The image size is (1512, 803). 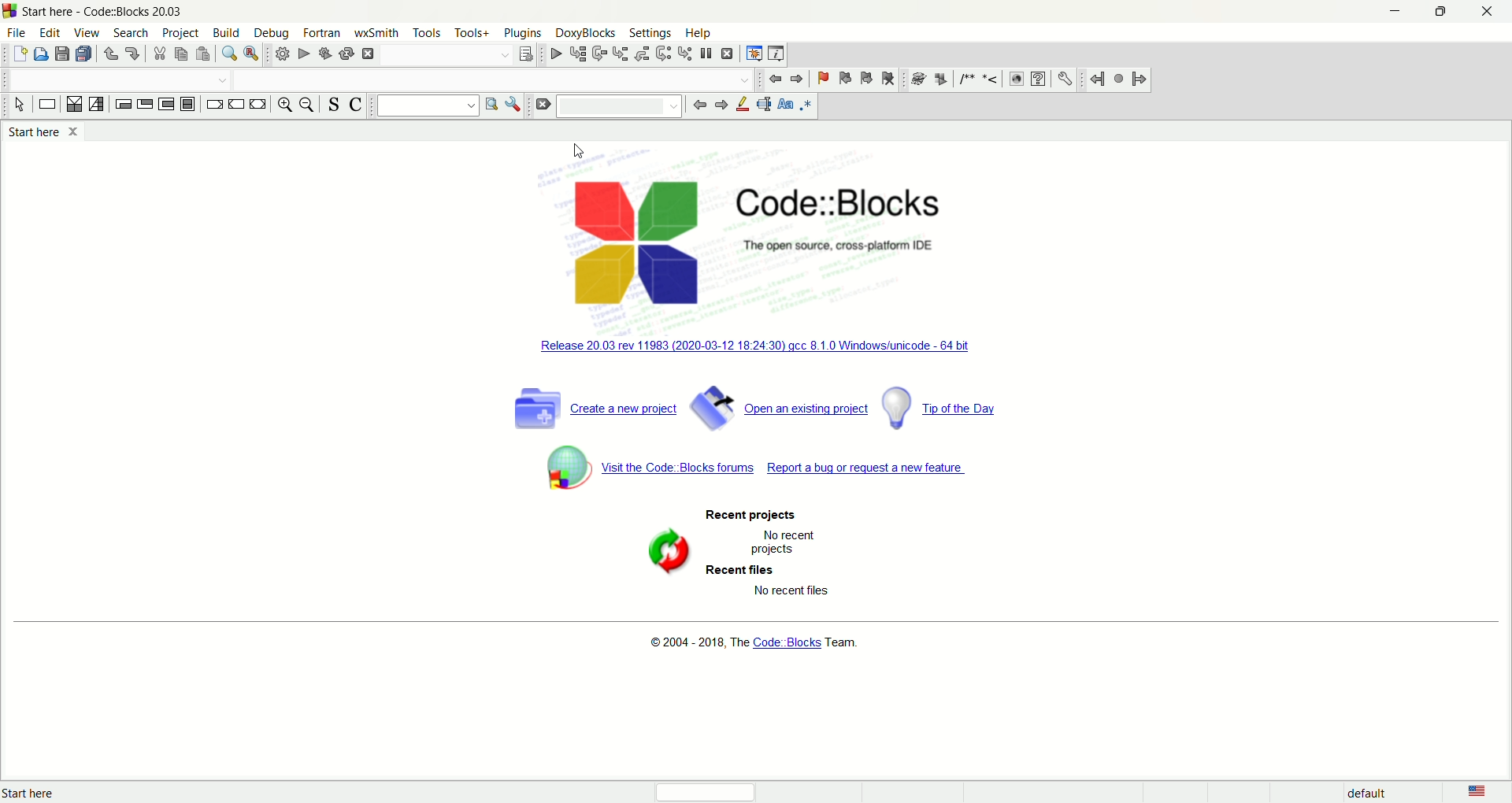 What do you see at coordinates (781, 408) in the screenshot?
I see `open a project` at bounding box center [781, 408].